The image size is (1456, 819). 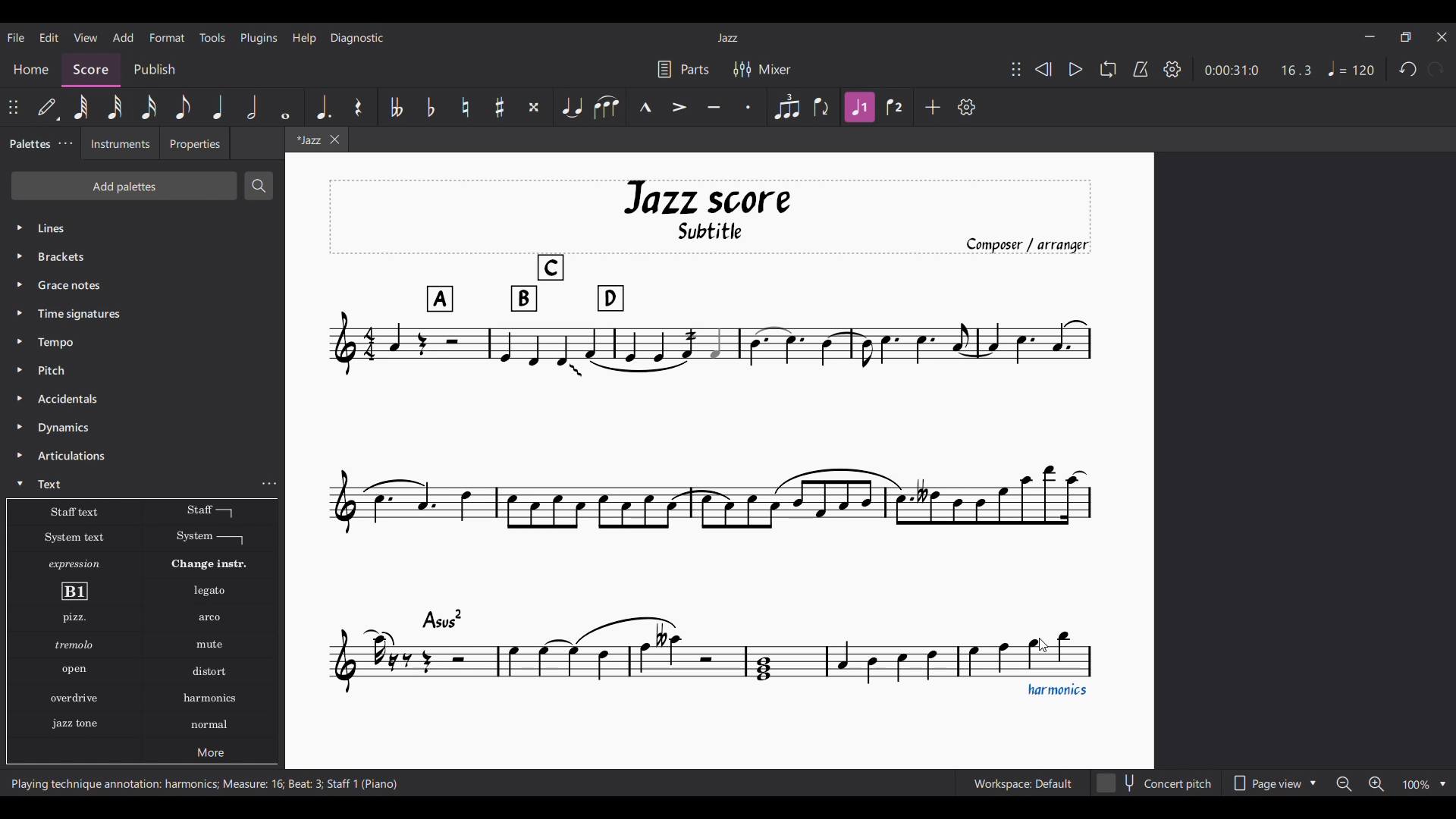 I want to click on Current duration and ratio, so click(x=1258, y=70).